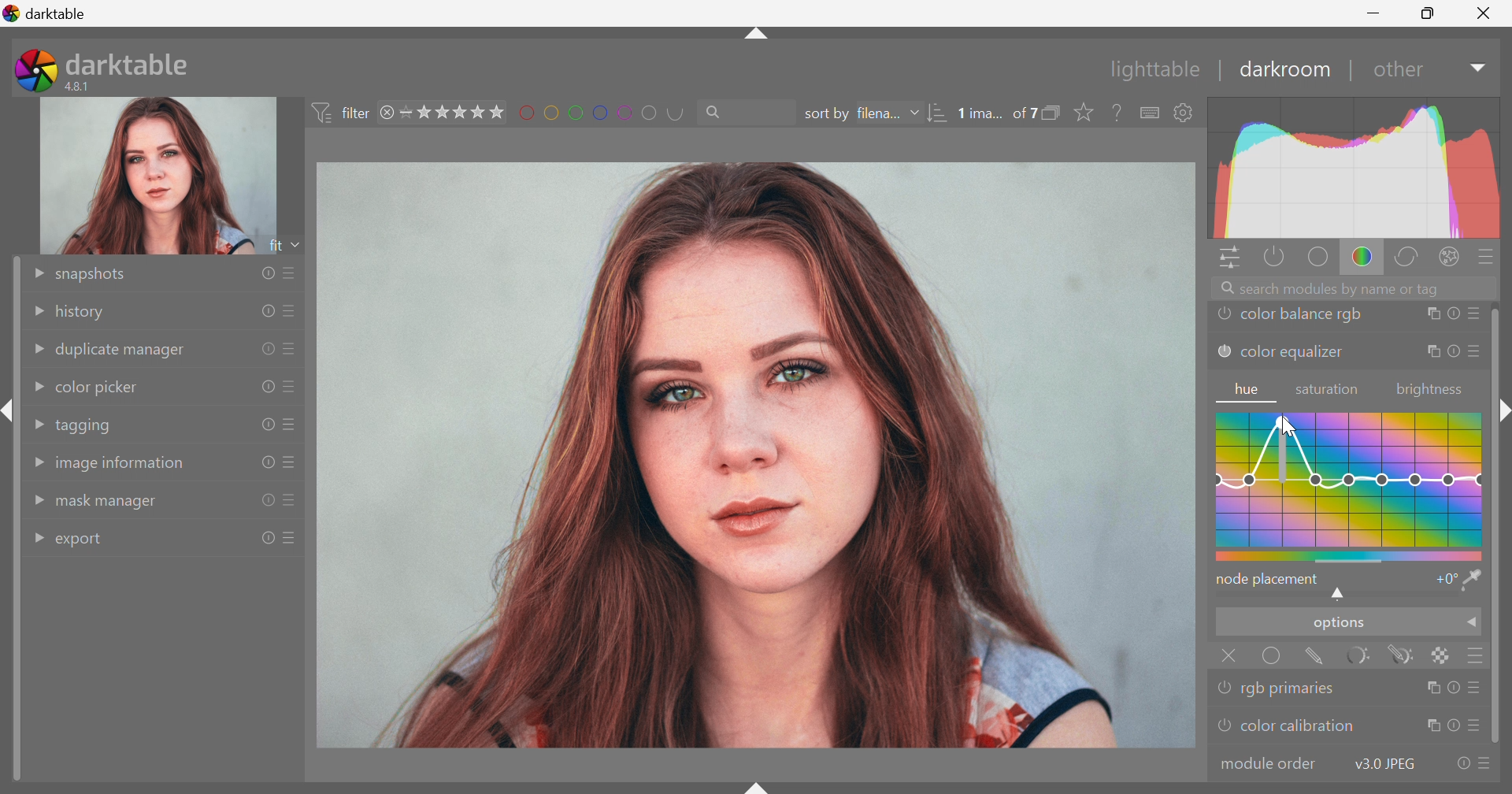  What do you see at coordinates (291, 311) in the screenshot?
I see `presets` at bounding box center [291, 311].